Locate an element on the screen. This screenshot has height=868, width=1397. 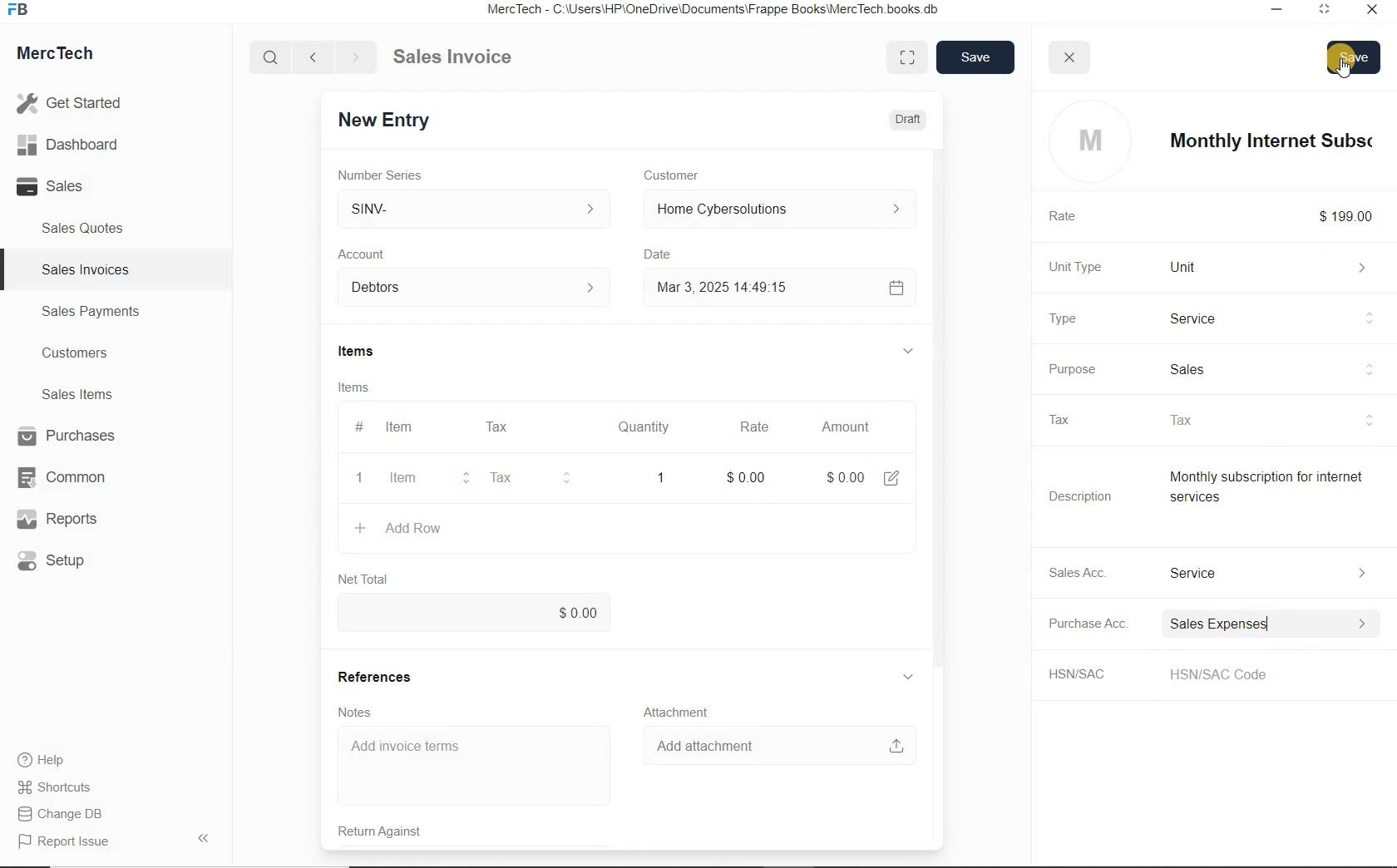
Tax is located at coordinates (1058, 419).